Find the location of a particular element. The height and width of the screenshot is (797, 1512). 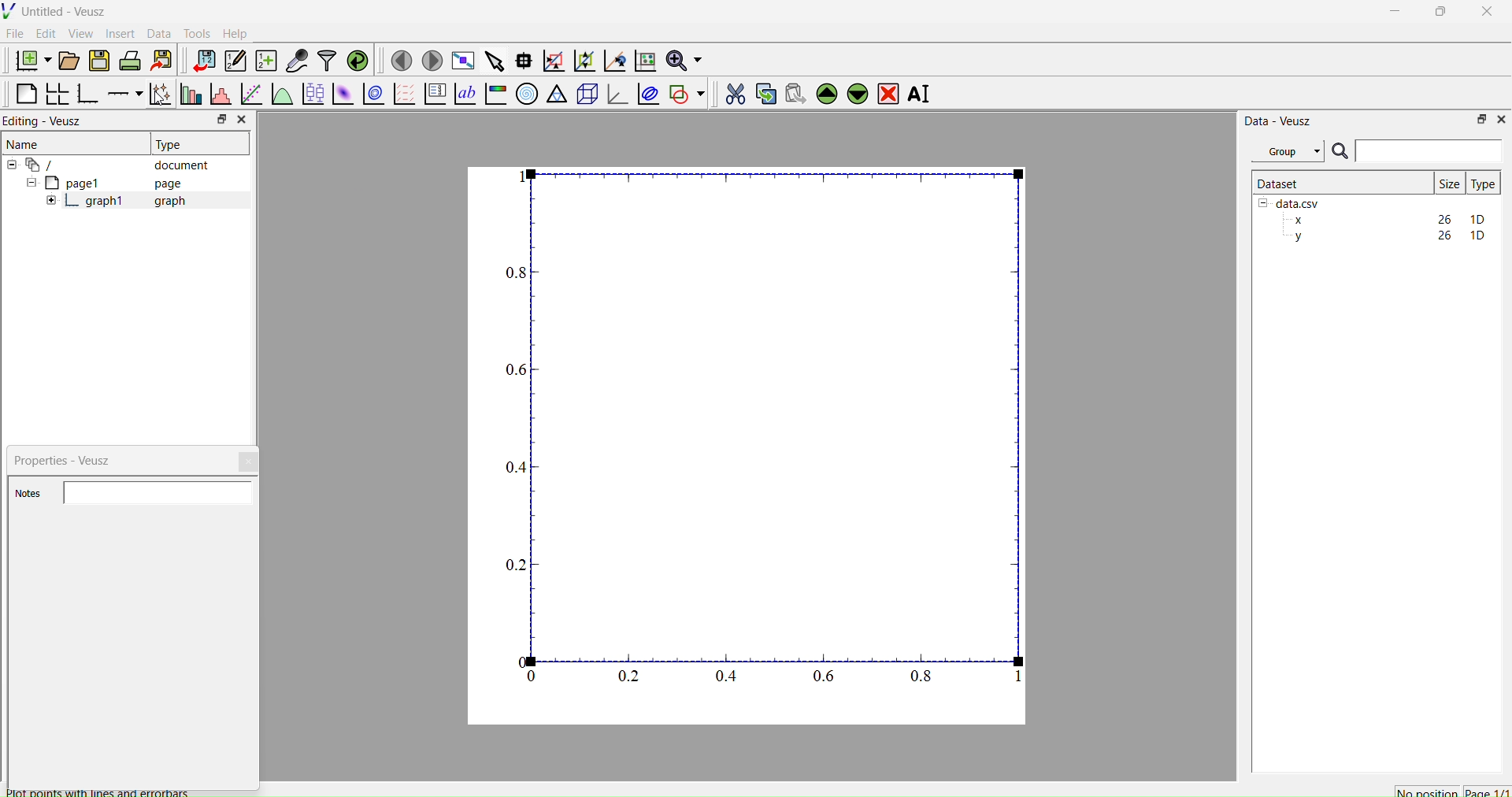

Restore Down is located at coordinates (1437, 13).